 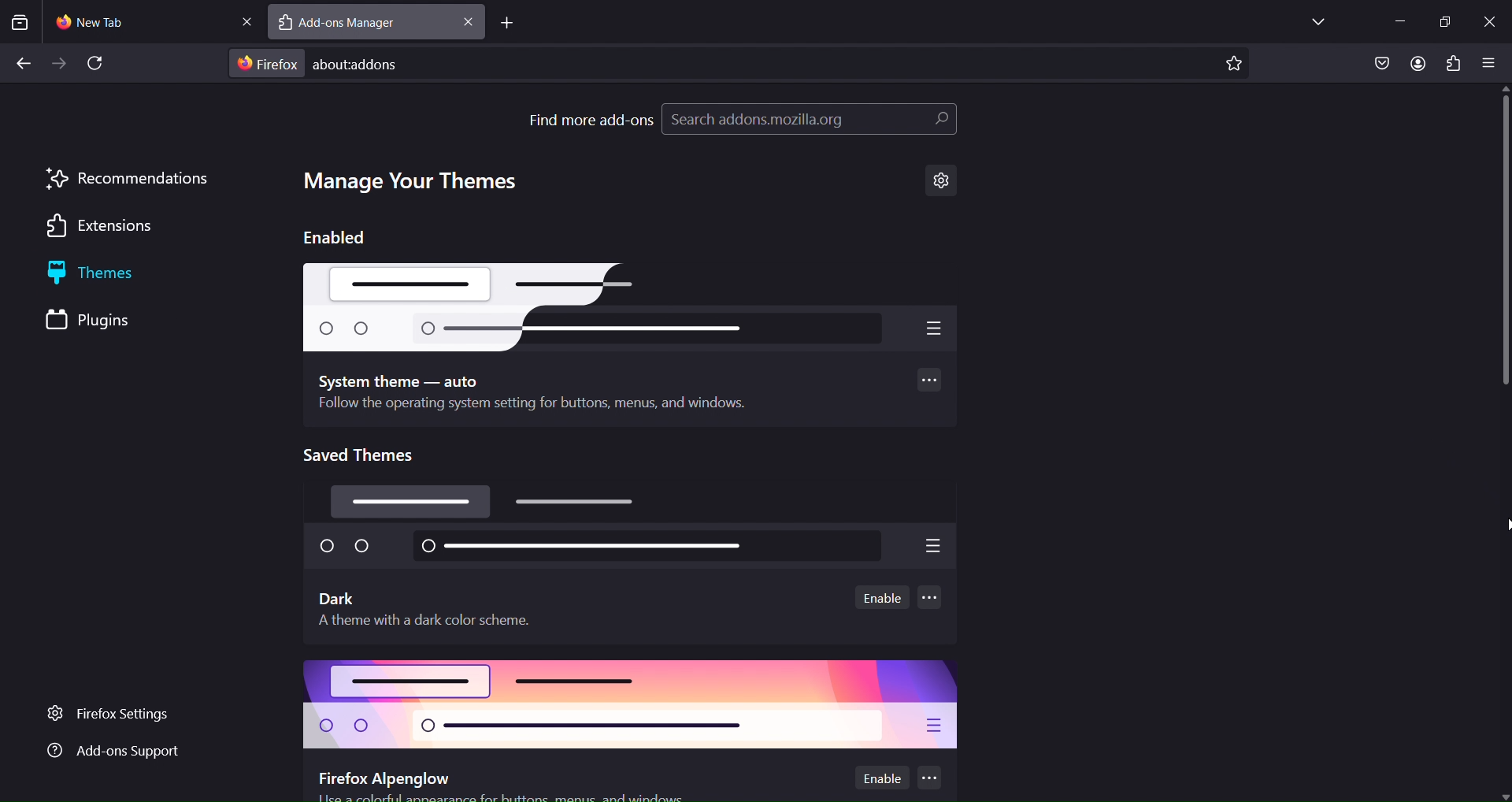 I want to click on reload page, so click(x=100, y=64).